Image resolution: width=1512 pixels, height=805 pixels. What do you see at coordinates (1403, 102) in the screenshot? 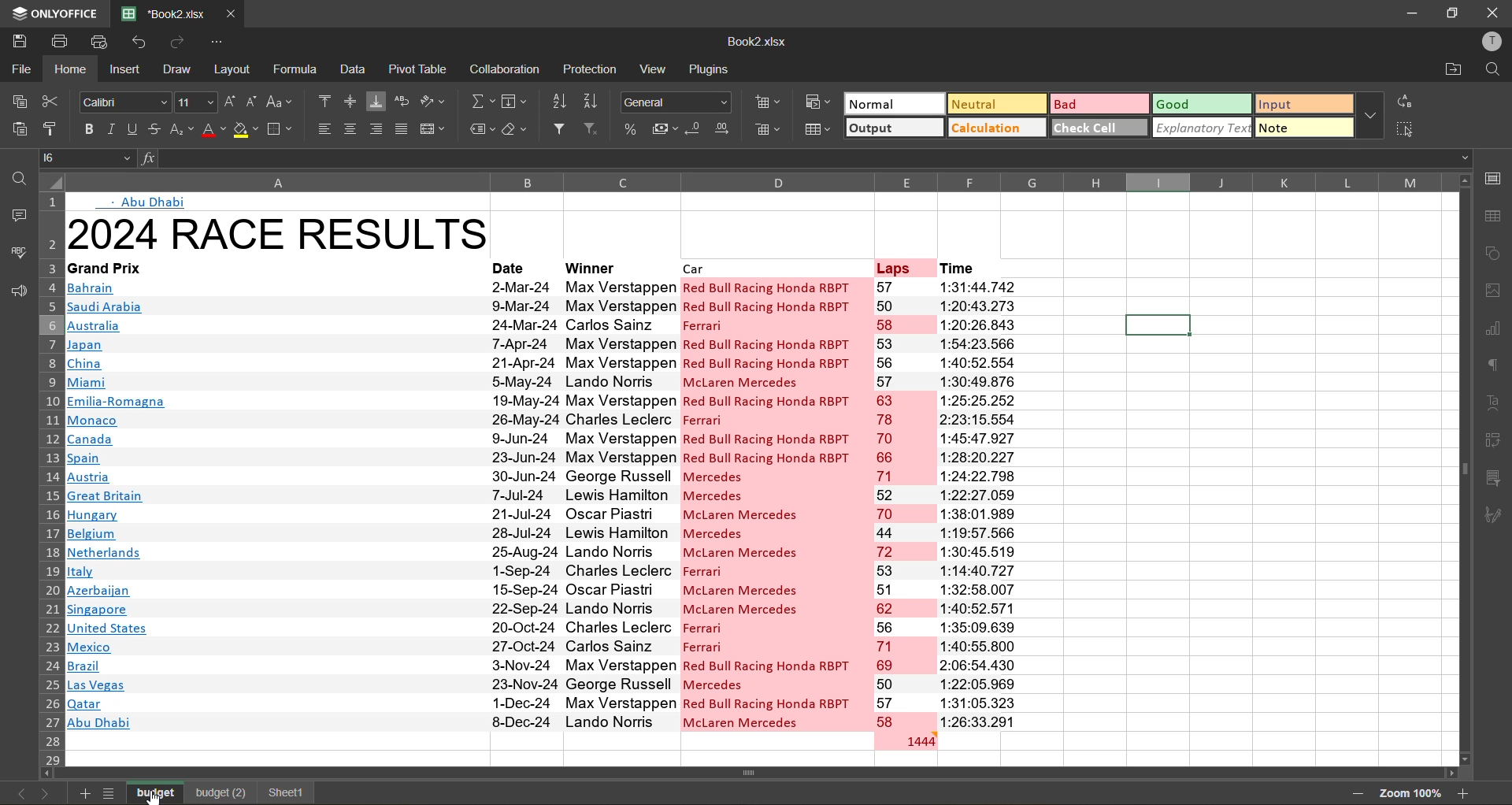
I see `replace` at bounding box center [1403, 102].